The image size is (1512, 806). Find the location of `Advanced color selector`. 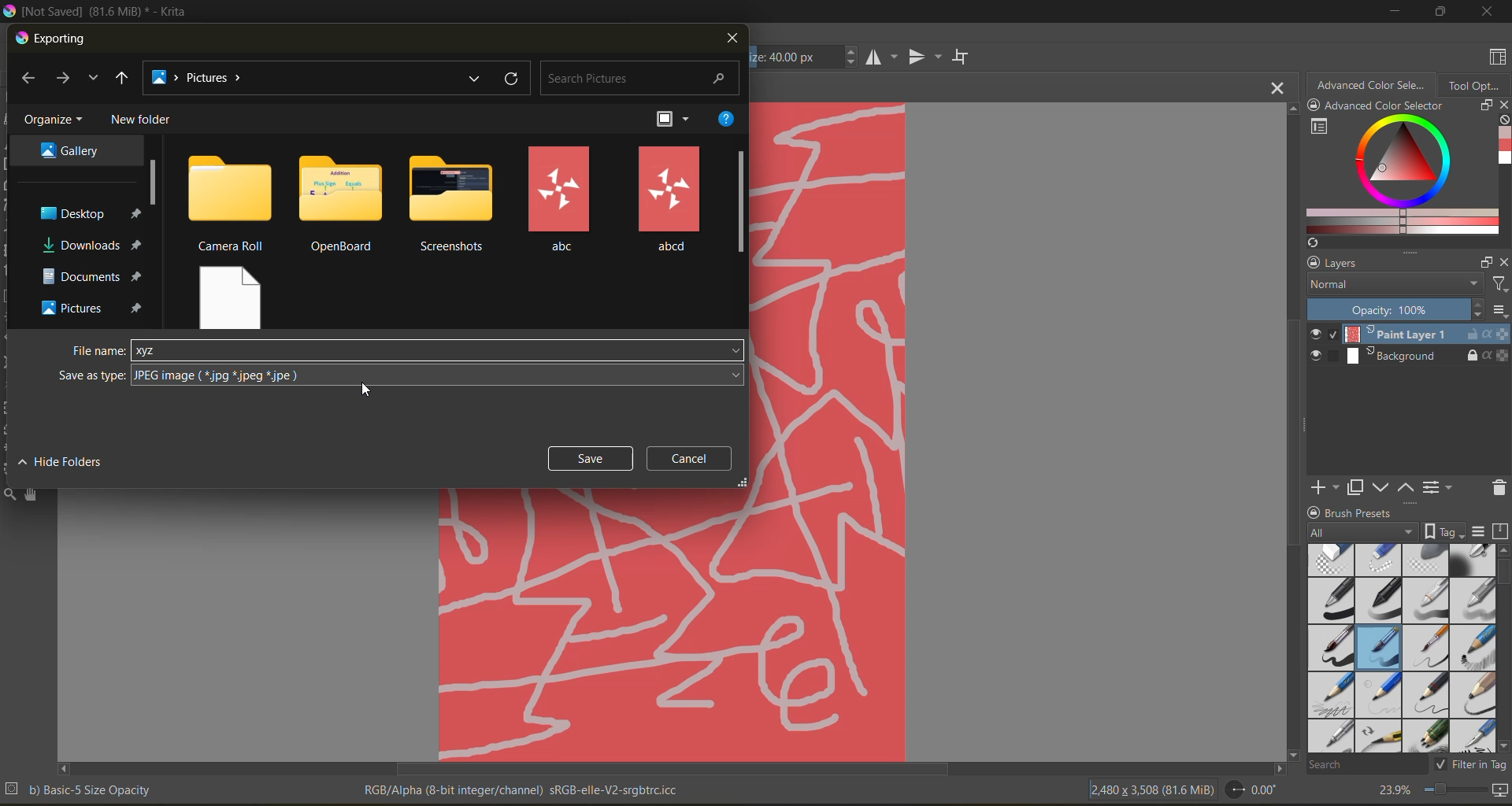

Advanced color selector is located at coordinates (1503, 148).